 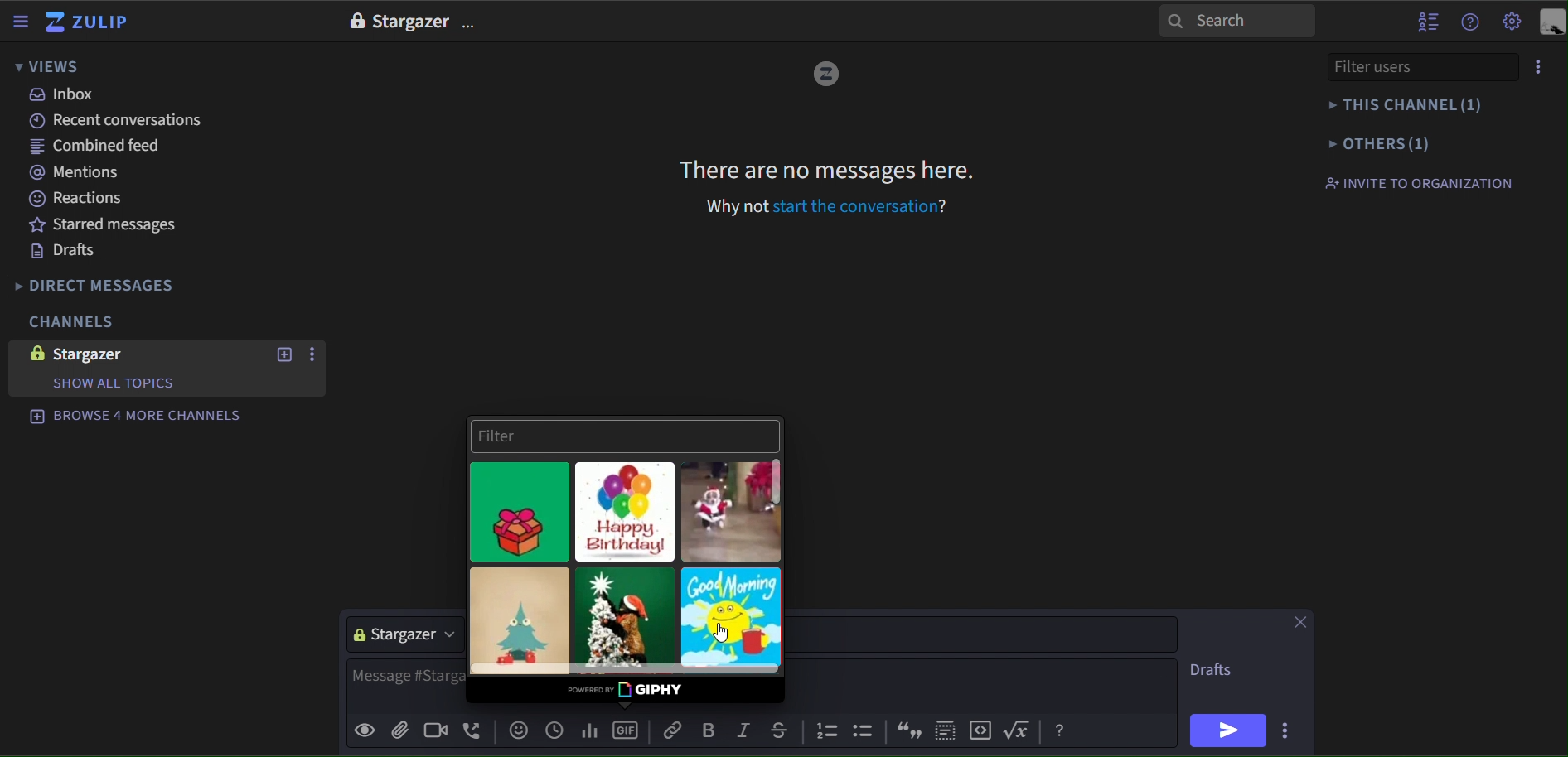 What do you see at coordinates (112, 383) in the screenshot?
I see `show all topics` at bounding box center [112, 383].